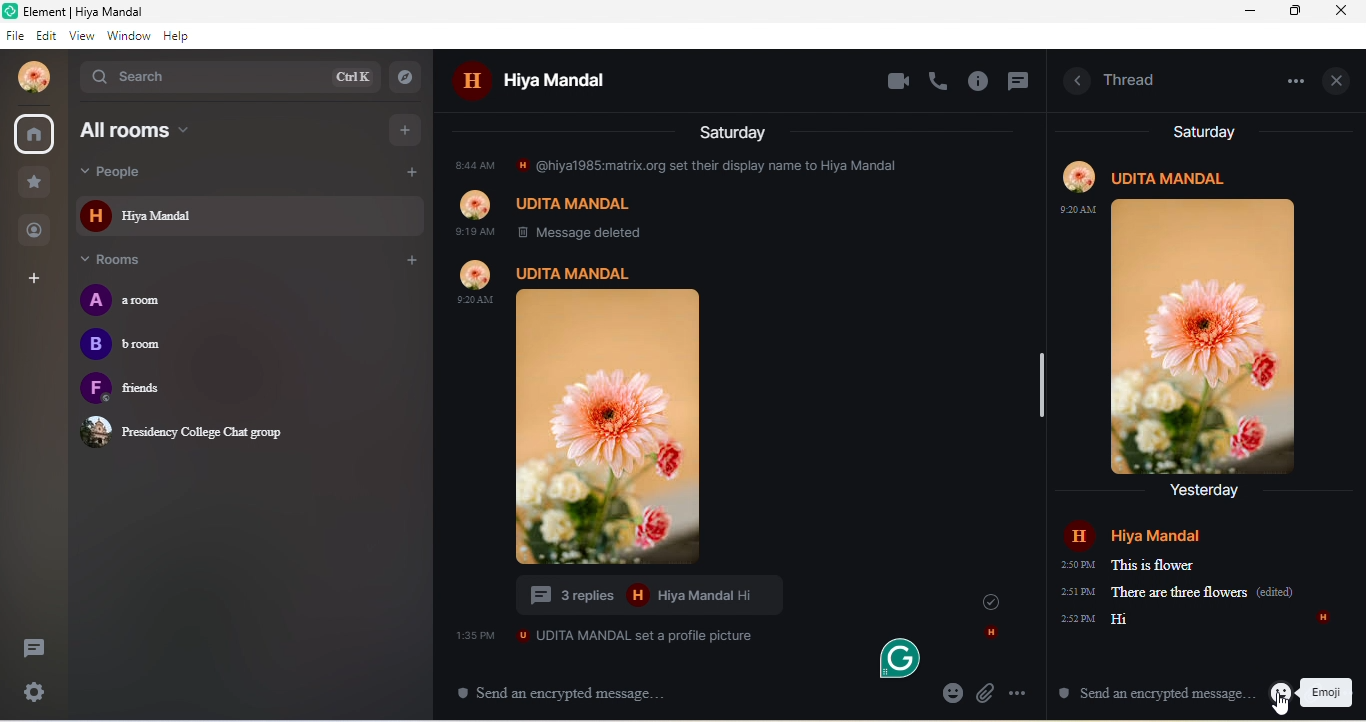 The height and width of the screenshot is (722, 1366). What do you see at coordinates (406, 77) in the screenshot?
I see `explore` at bounding box center [406, 77].